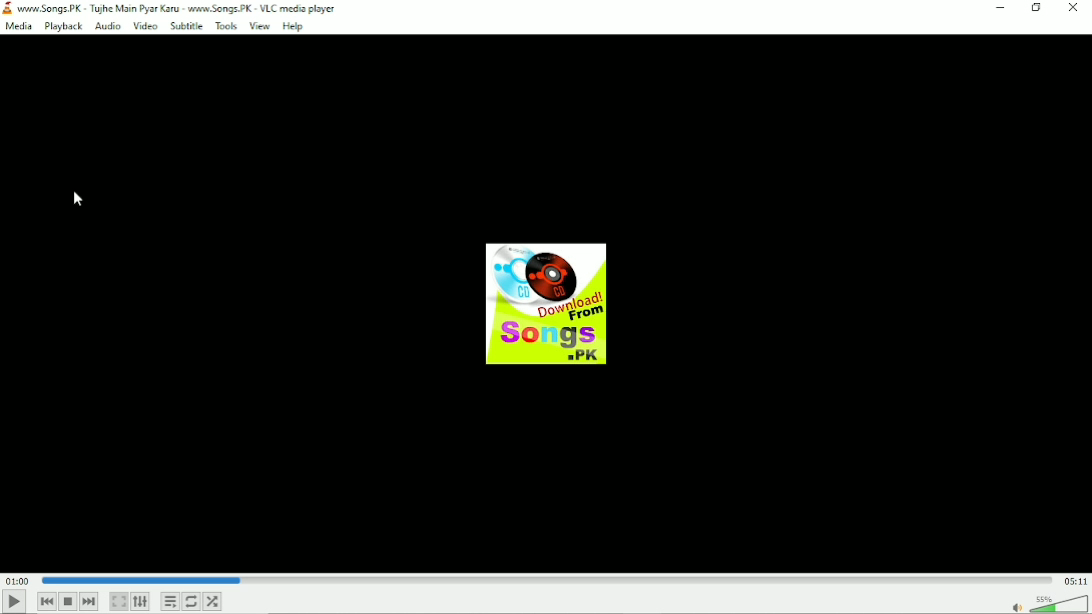 The height and width of the screenshot is (614, 1092). I want to click on Elapsed time, so click(18, 581).